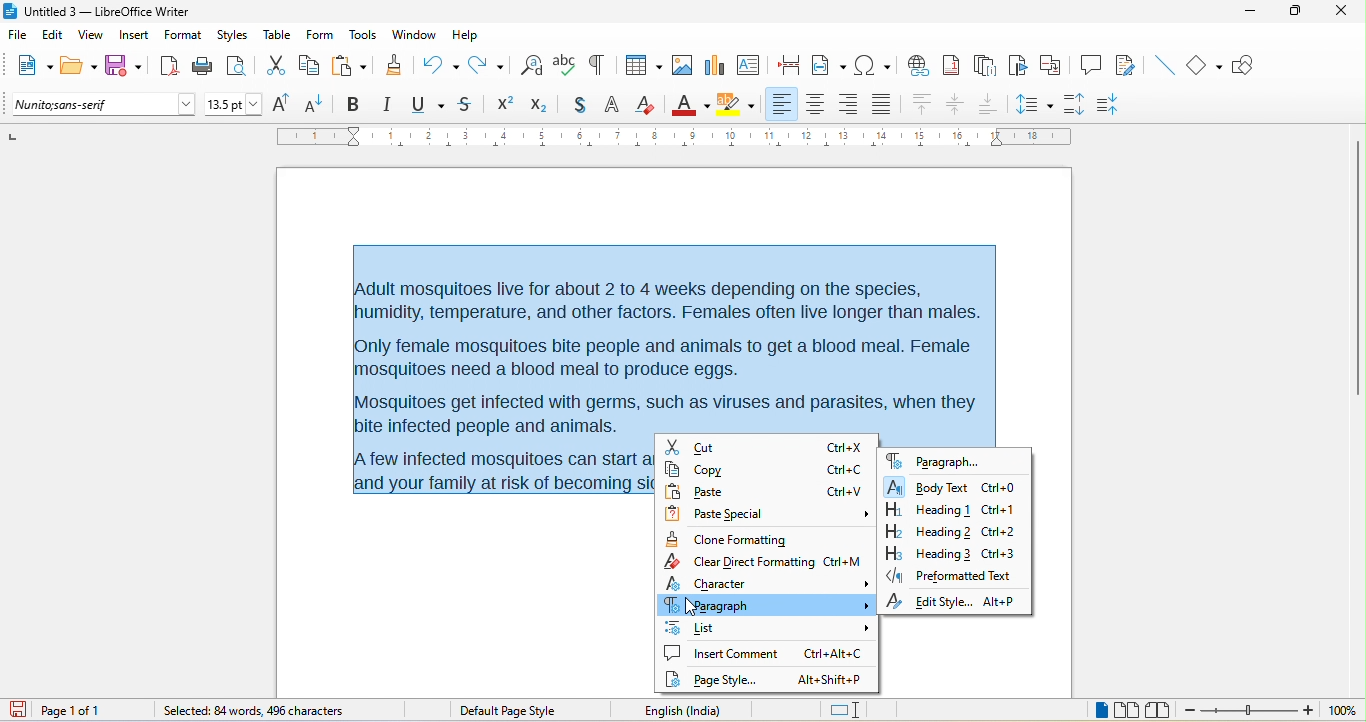 Image resolution: width=1366 pixels, height=722 pixels. Describe the element at coordinates (725, 448) in the screenshot. I see `cut` at that location.